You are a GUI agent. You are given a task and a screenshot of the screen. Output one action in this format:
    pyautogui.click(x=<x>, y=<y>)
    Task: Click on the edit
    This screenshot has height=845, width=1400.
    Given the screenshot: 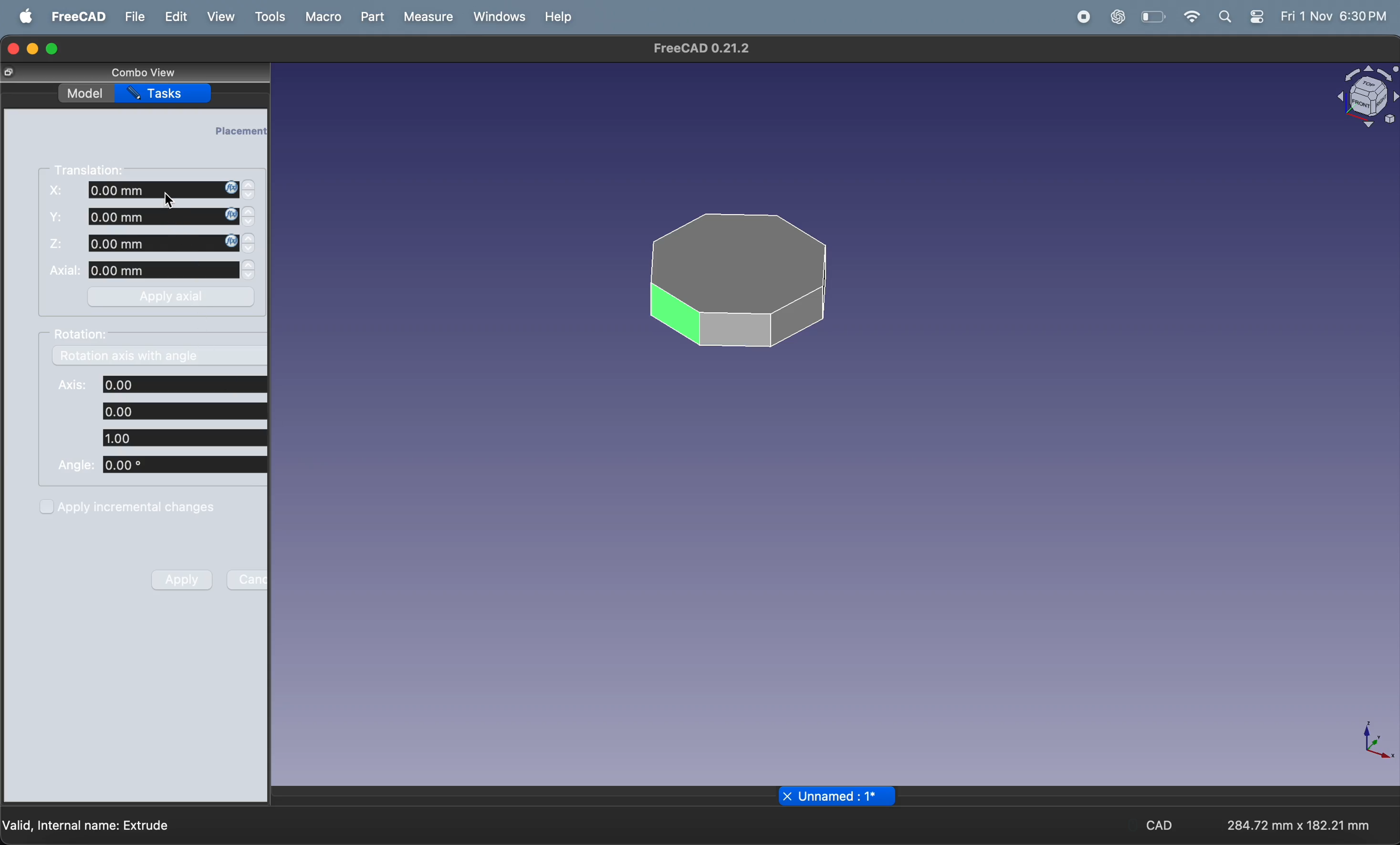 What is the action you would take?
    pyautogui.click(x=173, y=16)
    